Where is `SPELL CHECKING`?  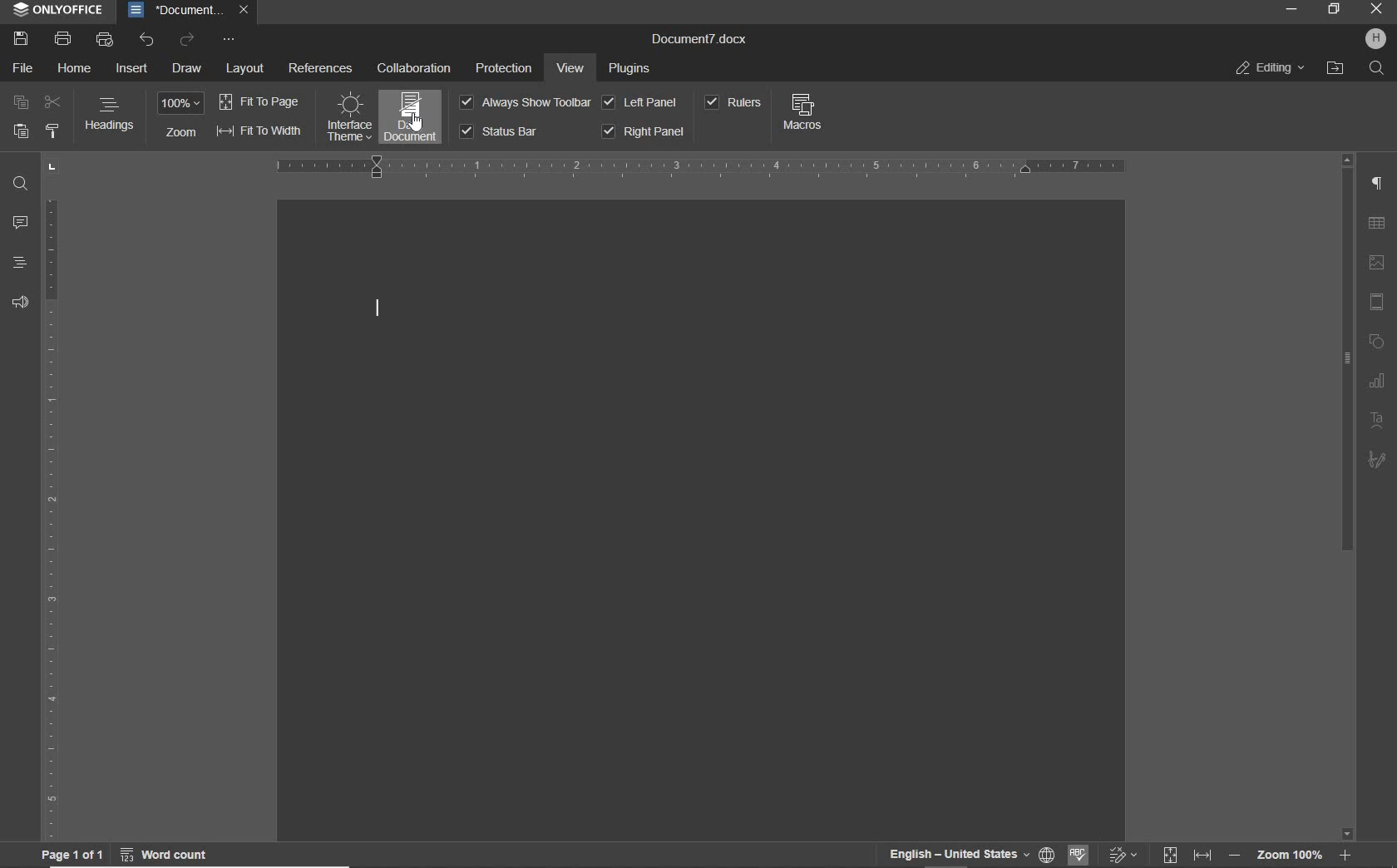
SPELL CHECKING is located at coordinates (1079, 854).